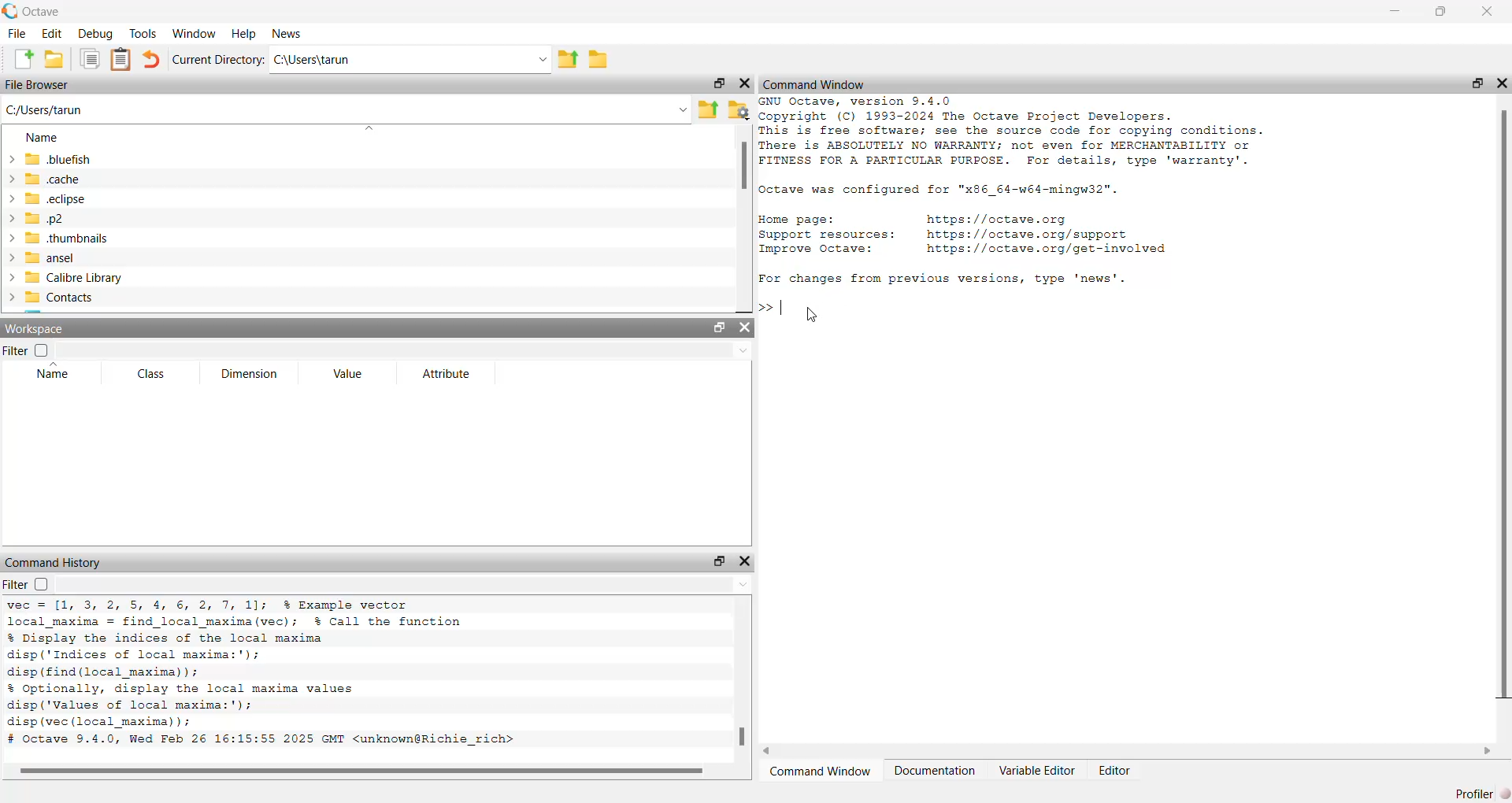 This screenshot has width=1512, height=803. Describe the element at coordinates (18, 33) in the screenshot. I see `File` at that location.